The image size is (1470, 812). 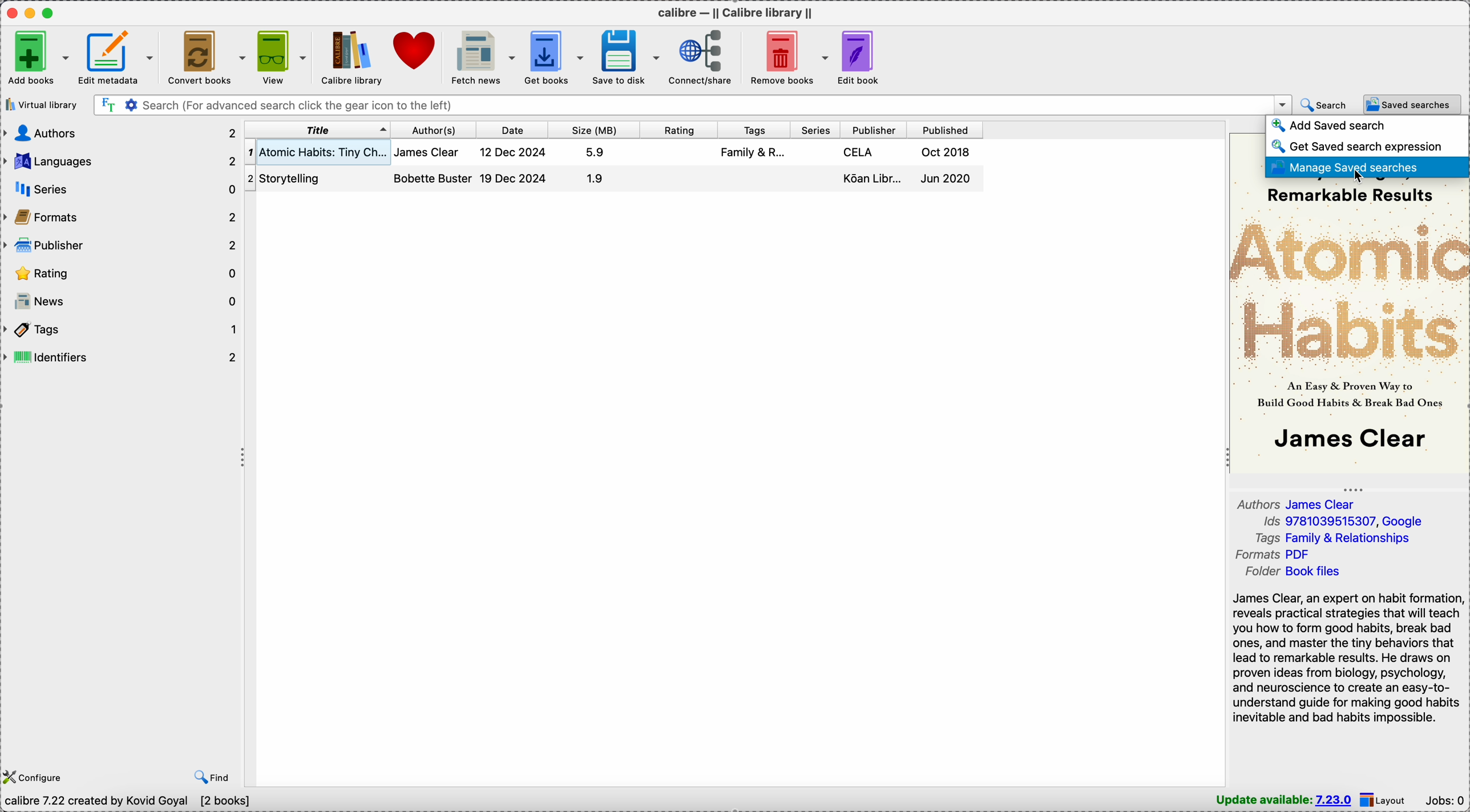 What do you see at coordinates (1355, 489) in the screenshot?
I see `drag handle` at bounding box center [1355, 489].